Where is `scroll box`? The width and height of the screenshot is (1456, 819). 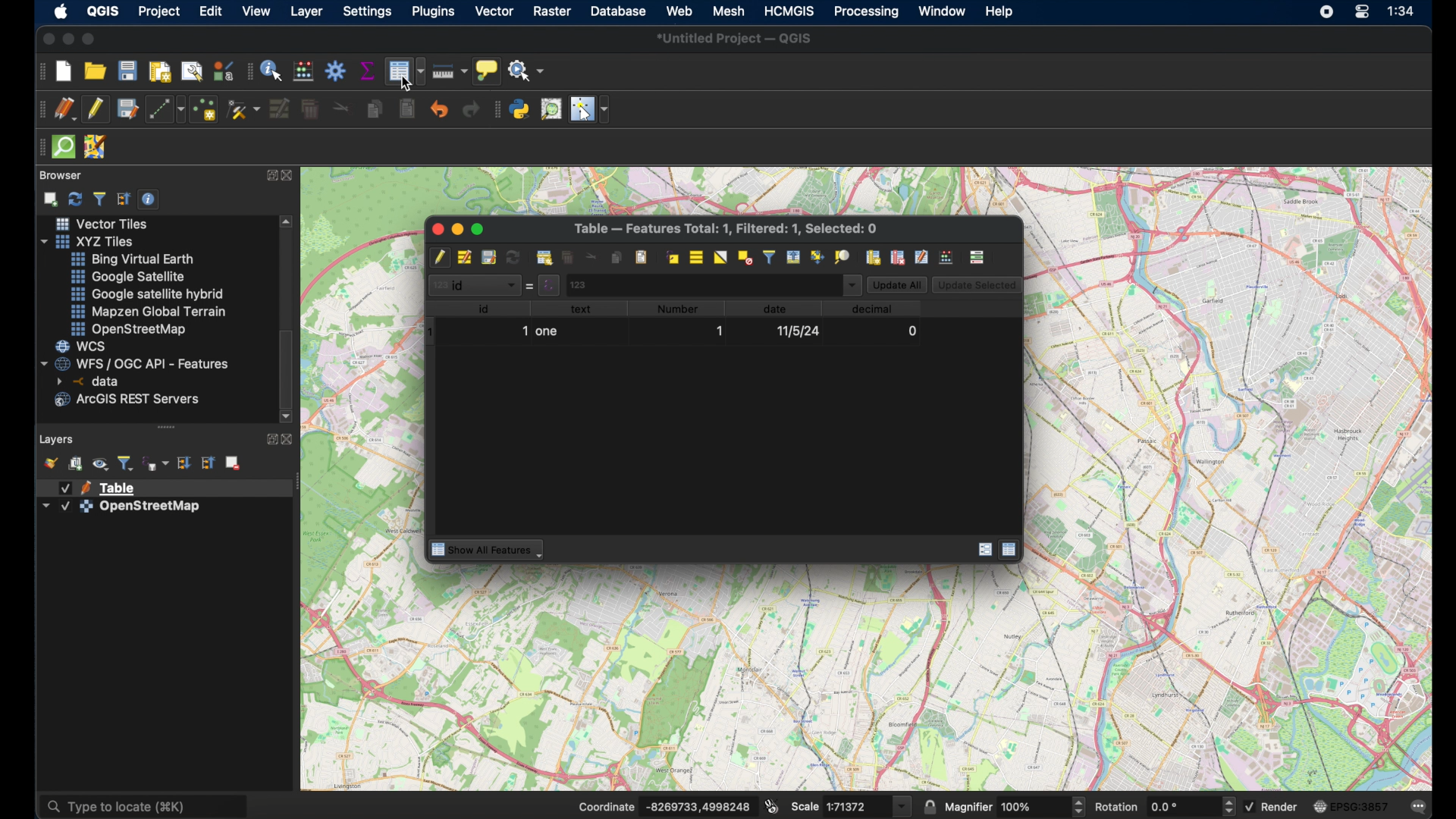 scroll box is located at coordinates (287, 365).